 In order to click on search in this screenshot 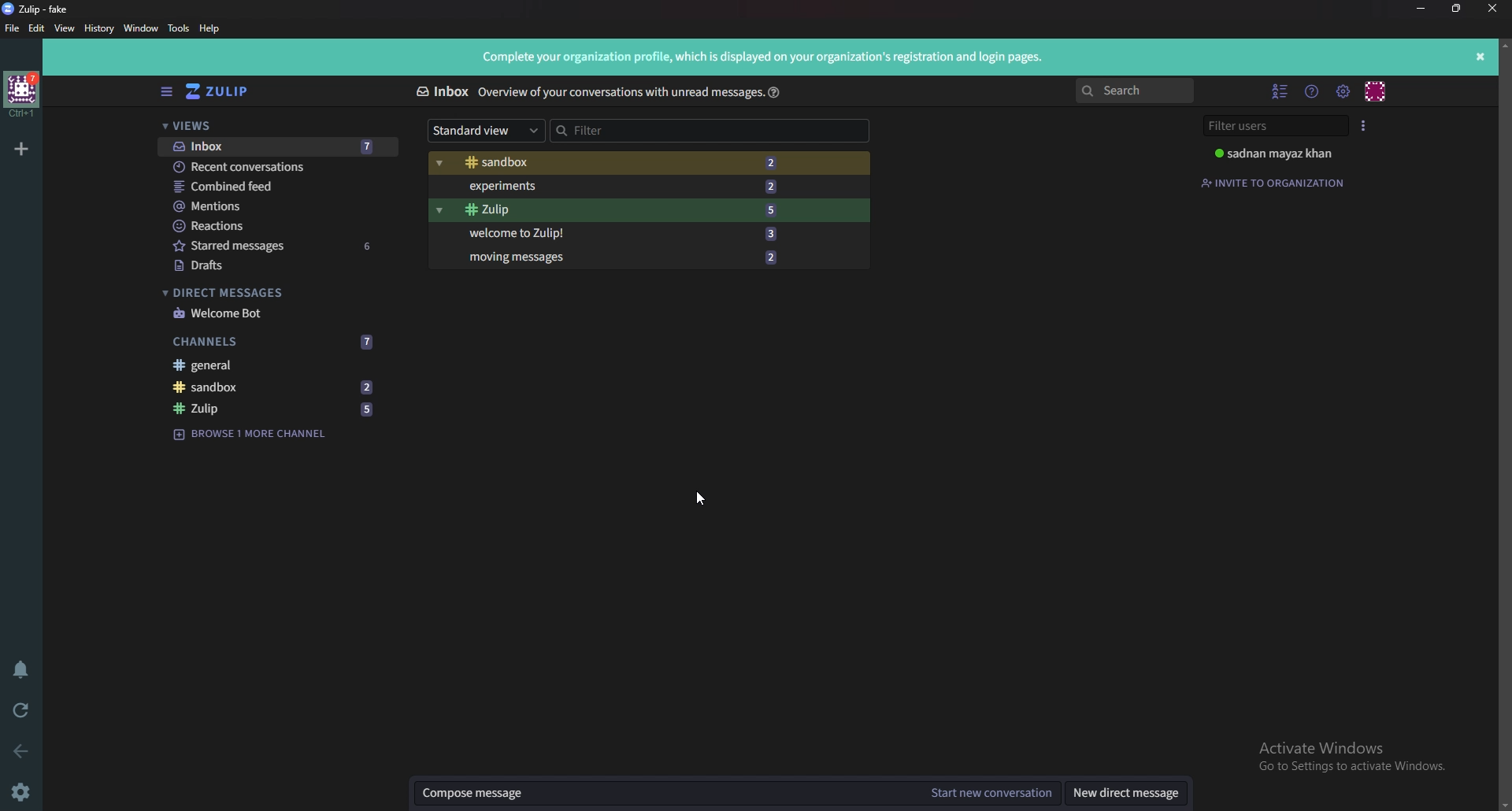, I will do `click(1138, 91)`.